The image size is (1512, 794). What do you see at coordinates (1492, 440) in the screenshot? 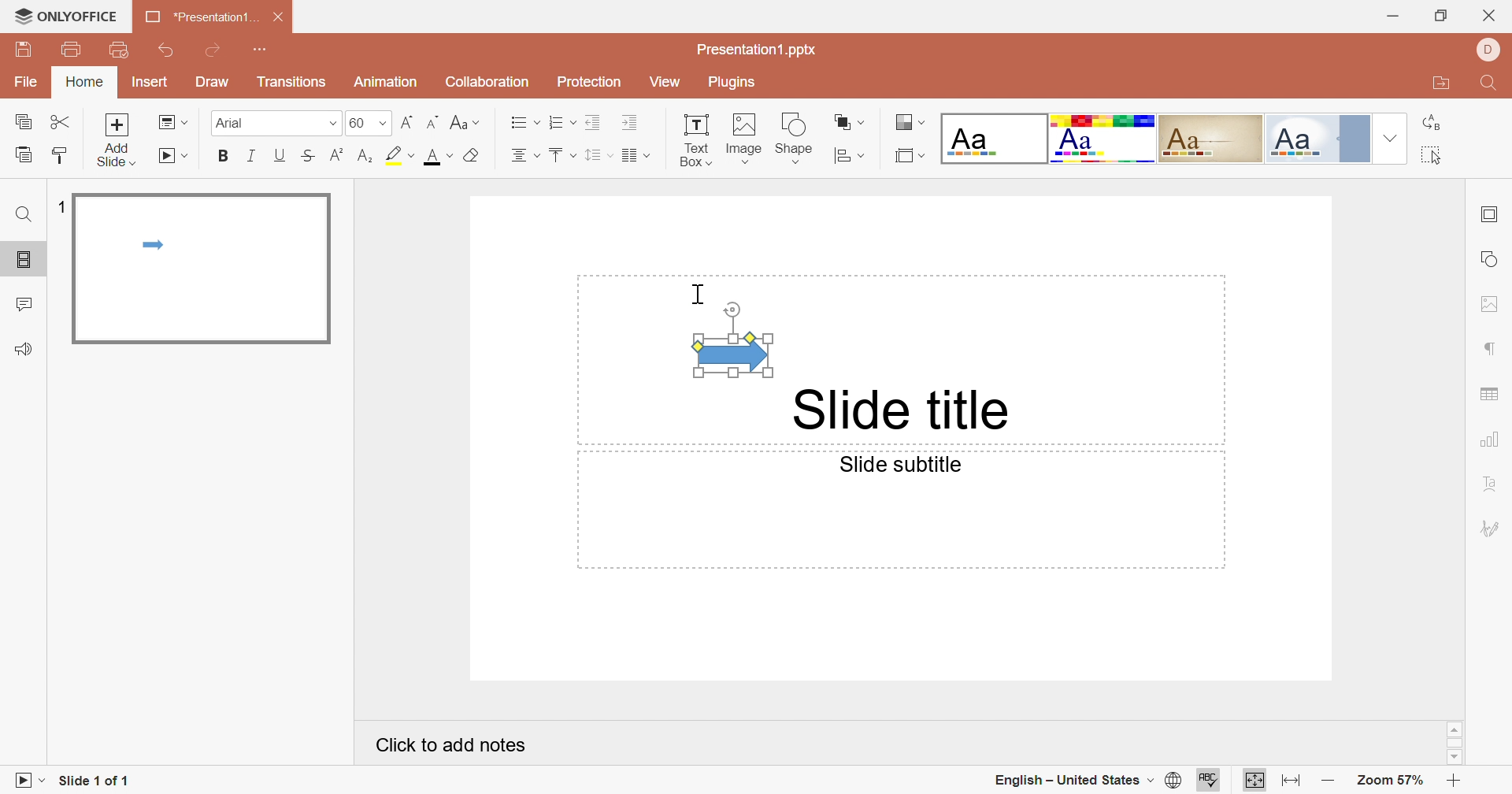
I see `Chart settings` at bounding box center [1492, 440].